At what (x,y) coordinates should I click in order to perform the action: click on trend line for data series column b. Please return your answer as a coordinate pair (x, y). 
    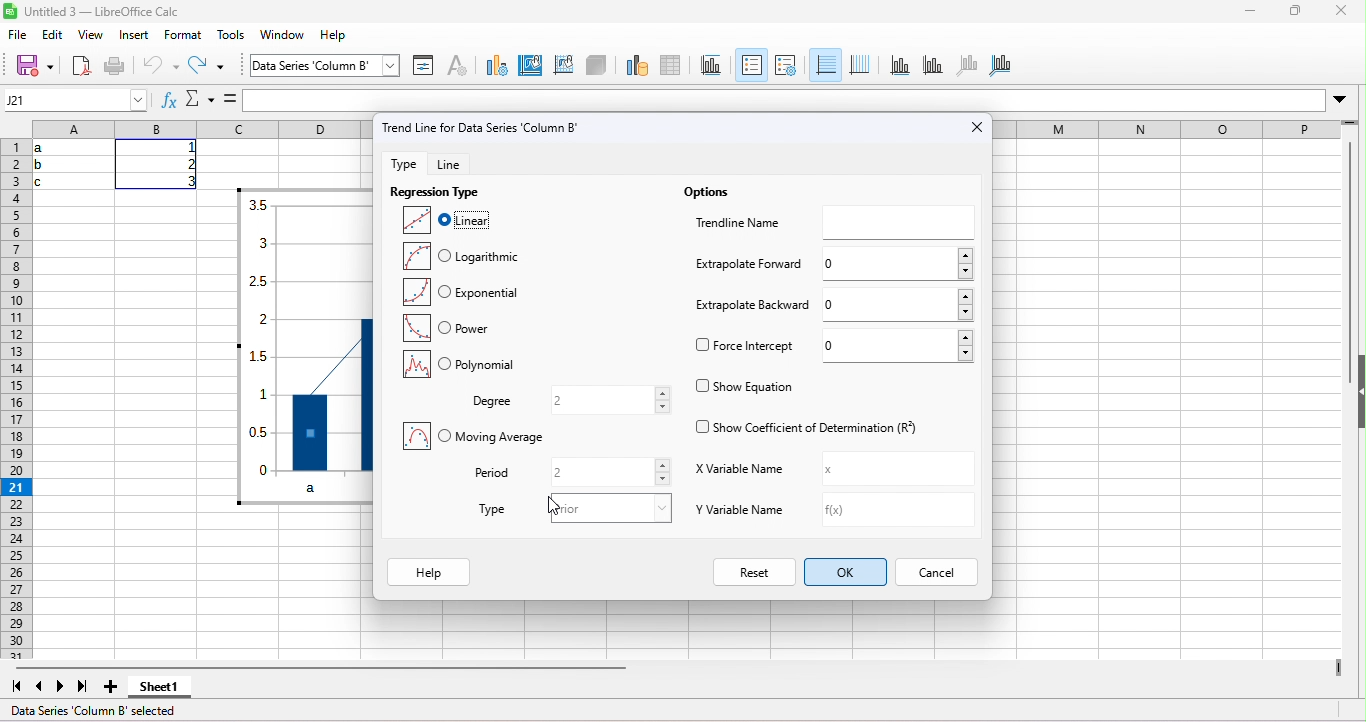
    Looking at the image, I should click on (534, 127).